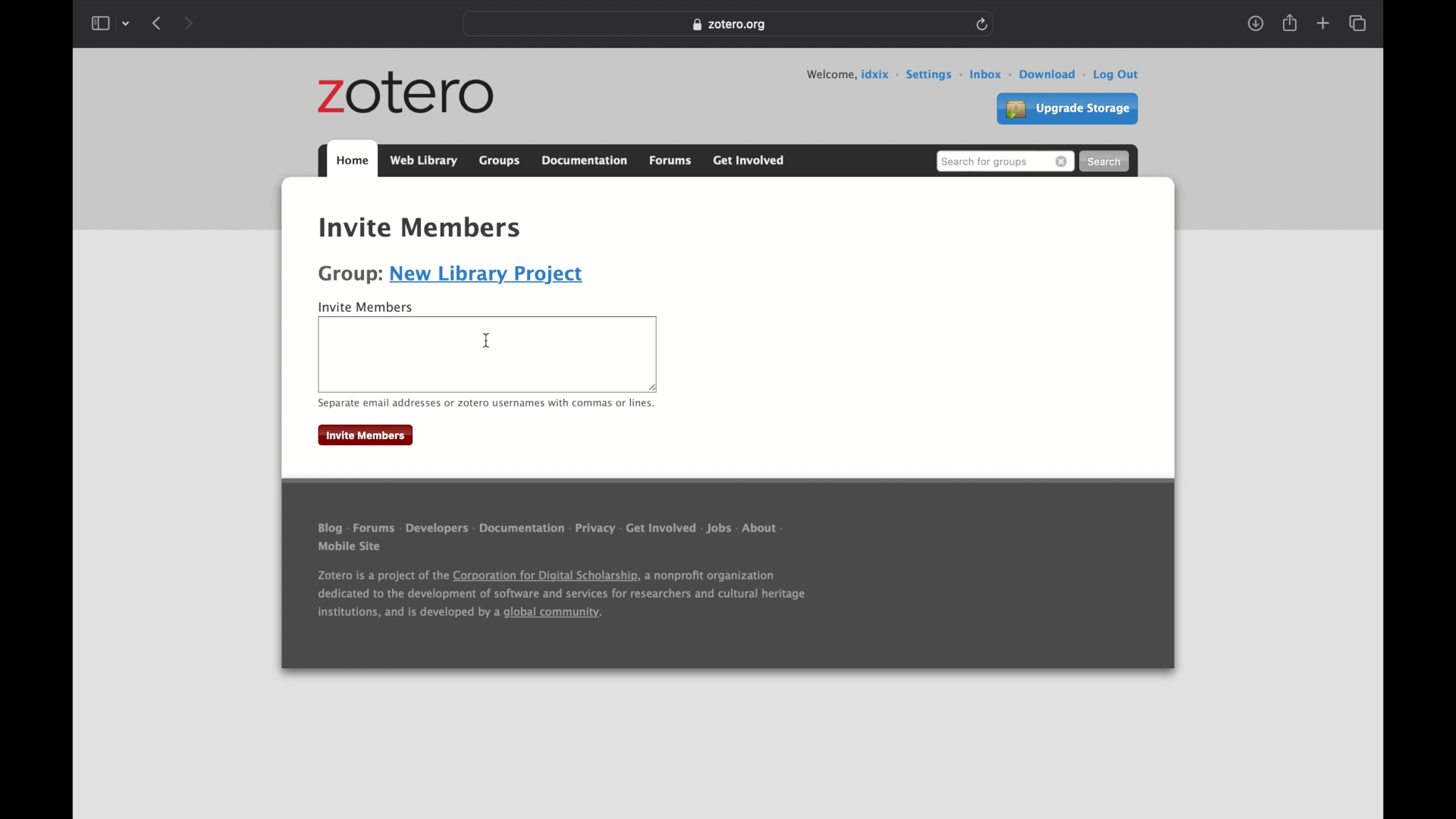 Image resolution: width=1456 pixels, height=819 pixels. I want to click on zotero, so click(408, 95).